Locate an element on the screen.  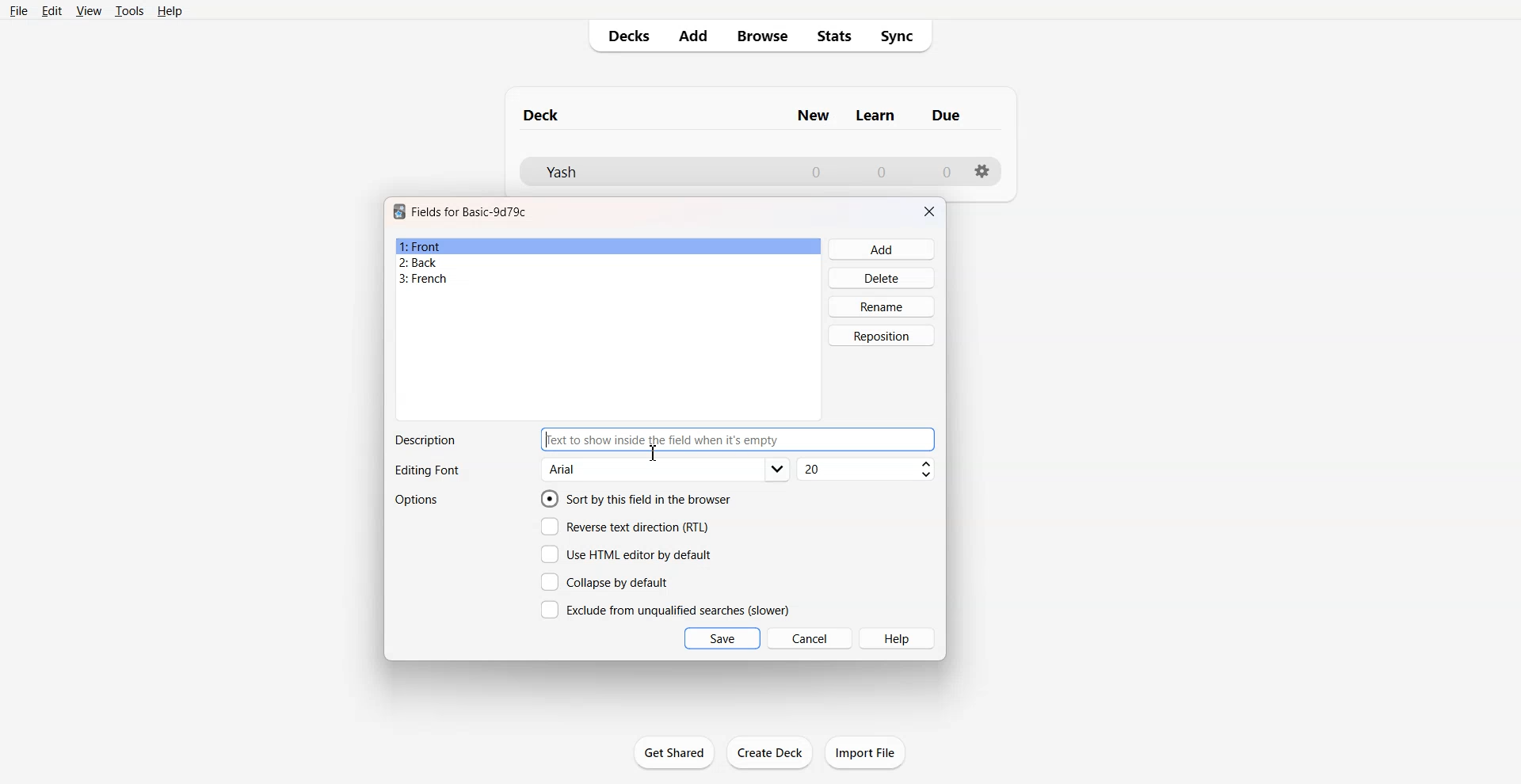
Number of Learn cards is located at coordinates (882, 171).